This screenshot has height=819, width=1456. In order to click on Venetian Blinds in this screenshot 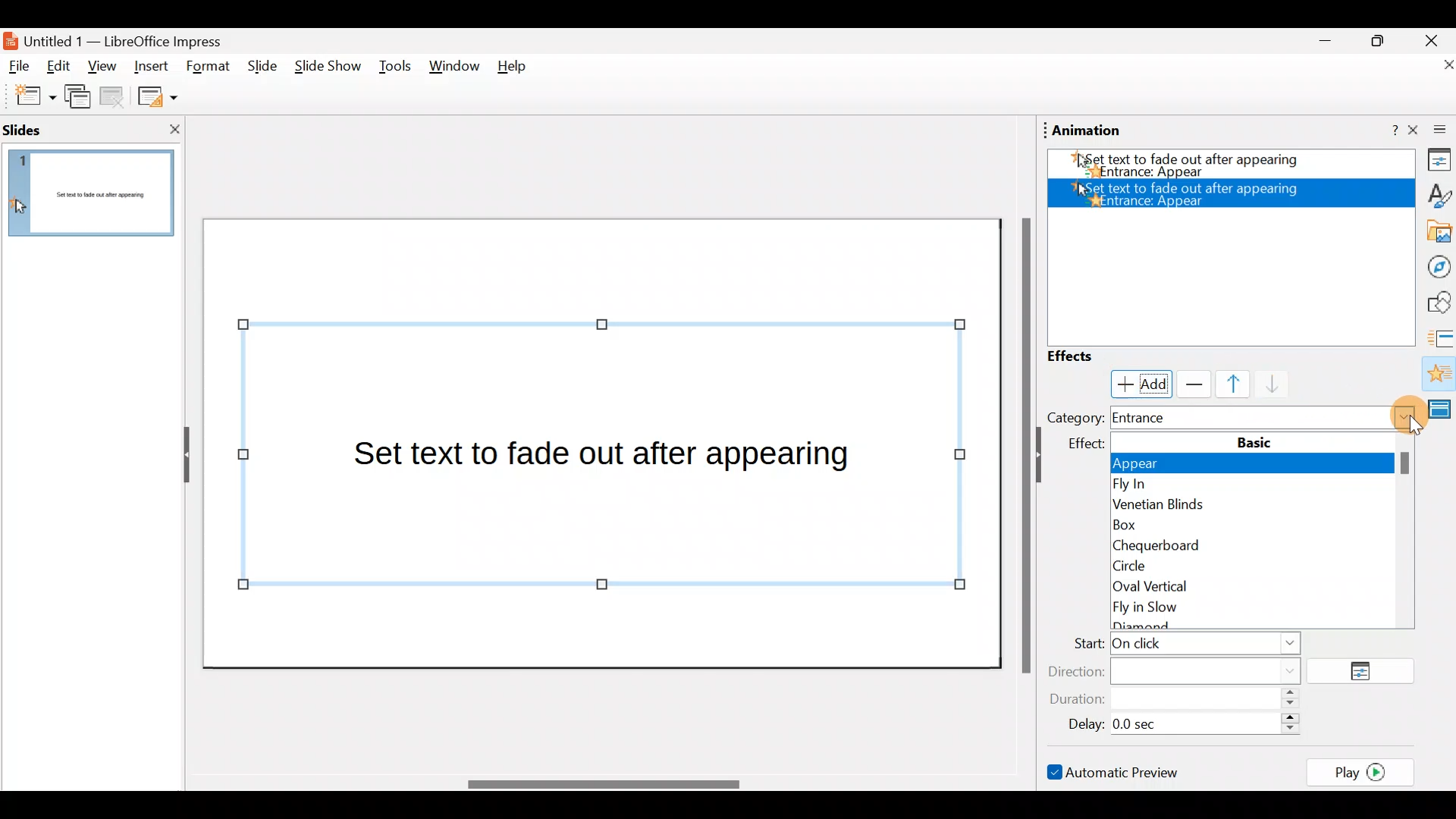, I will do `click(1251, 507)`.